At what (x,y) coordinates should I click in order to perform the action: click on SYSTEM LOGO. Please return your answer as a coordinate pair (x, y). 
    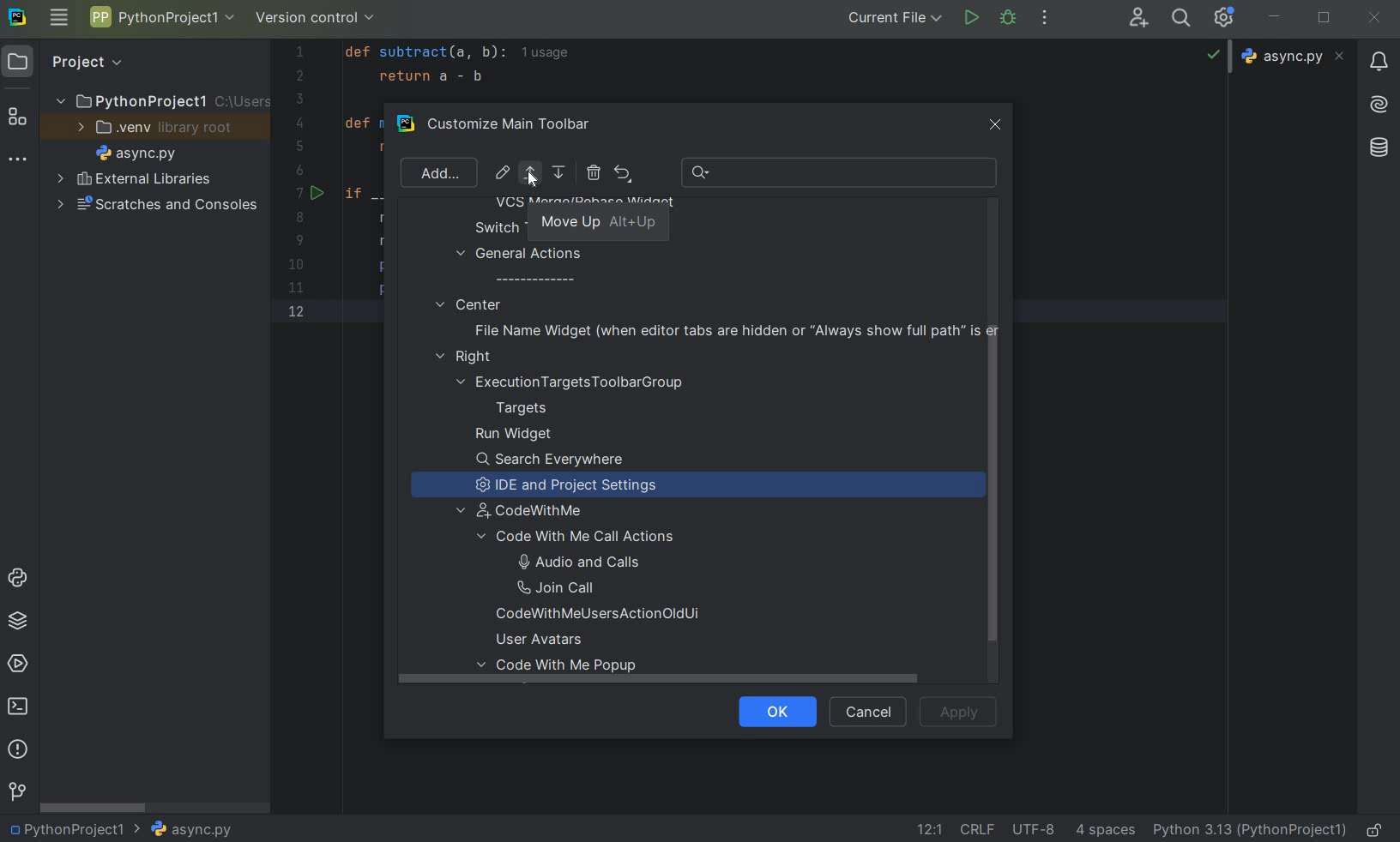
    Looking at the image, I should click on (19, 18).